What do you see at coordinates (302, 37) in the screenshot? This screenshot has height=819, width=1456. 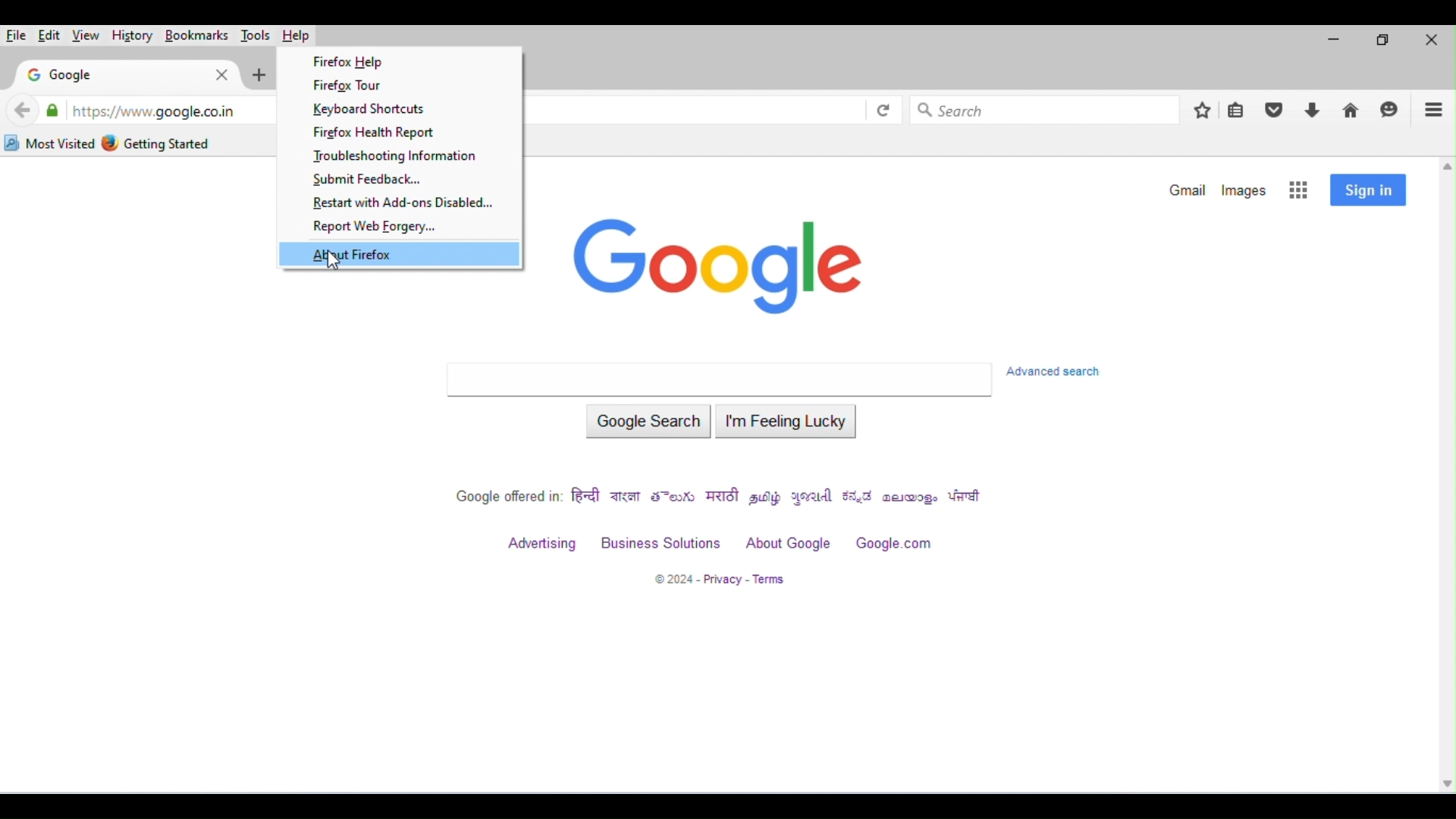 I see `help` at bounding box center [302, 37].